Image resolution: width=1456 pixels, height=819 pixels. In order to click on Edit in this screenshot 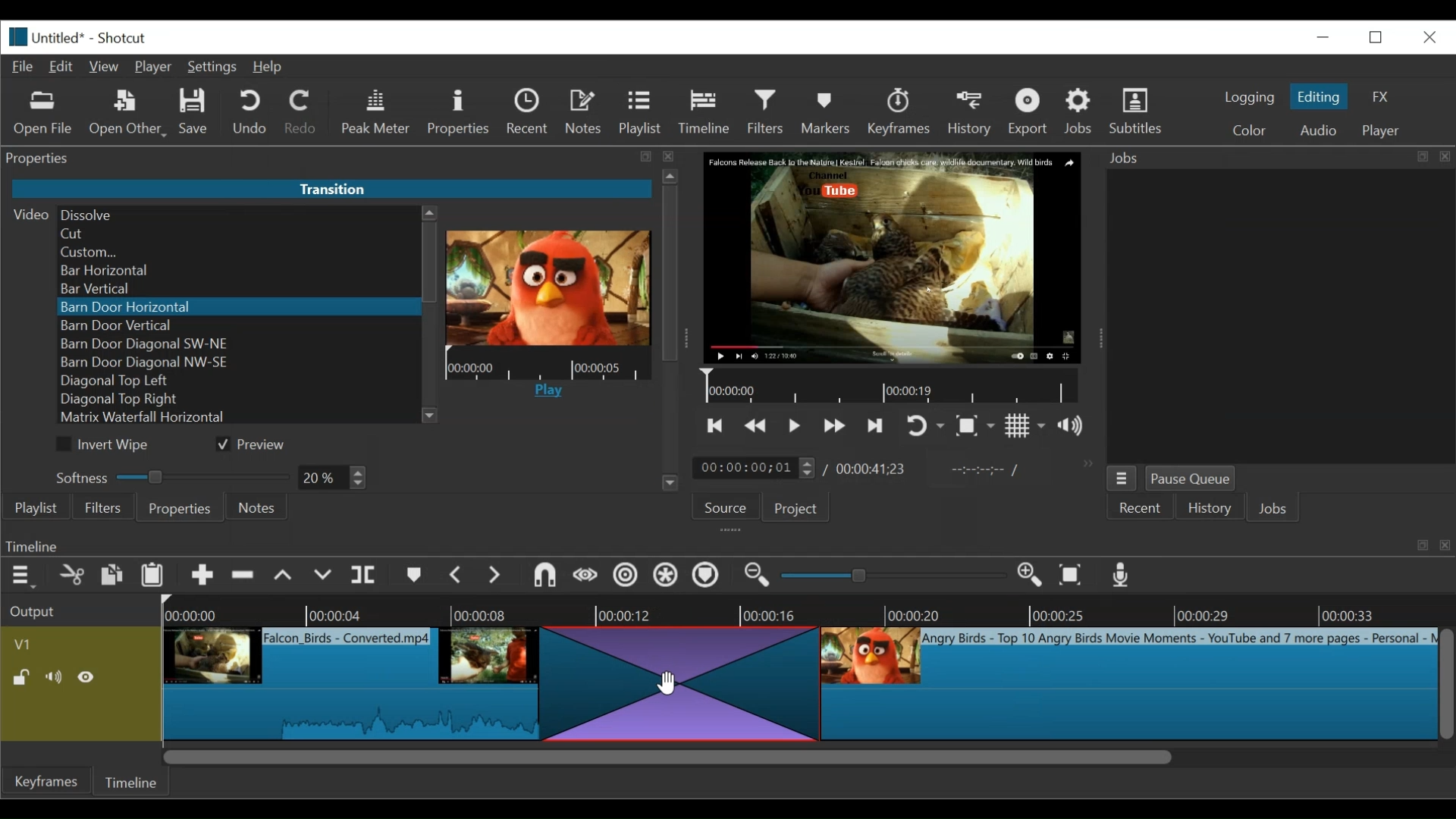, I will do `click(62, 67)`.